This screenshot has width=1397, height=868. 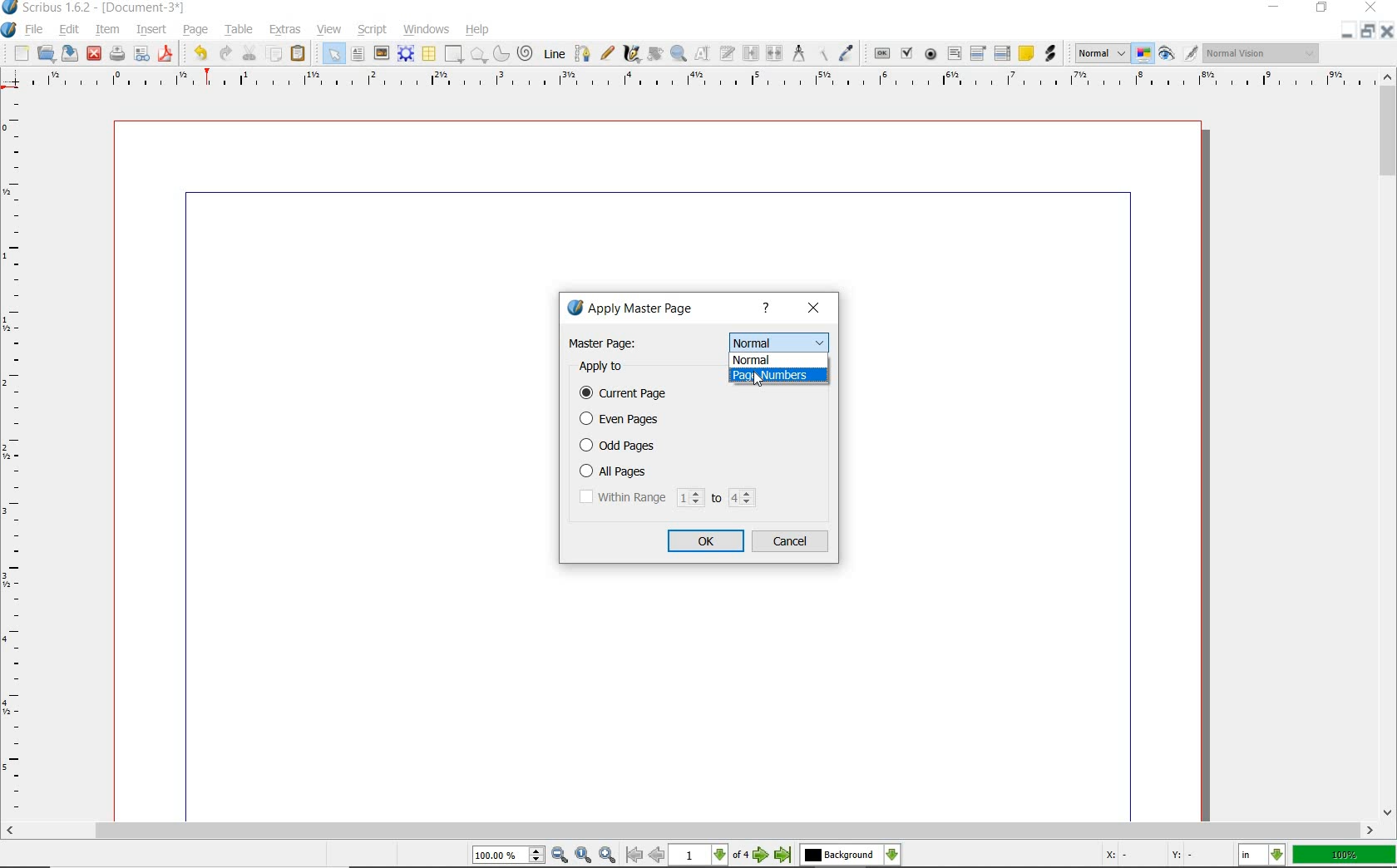 What do you see at coordinates (500, 53) in the screenshot?
I see `arc` at bounding box center [500, 53].